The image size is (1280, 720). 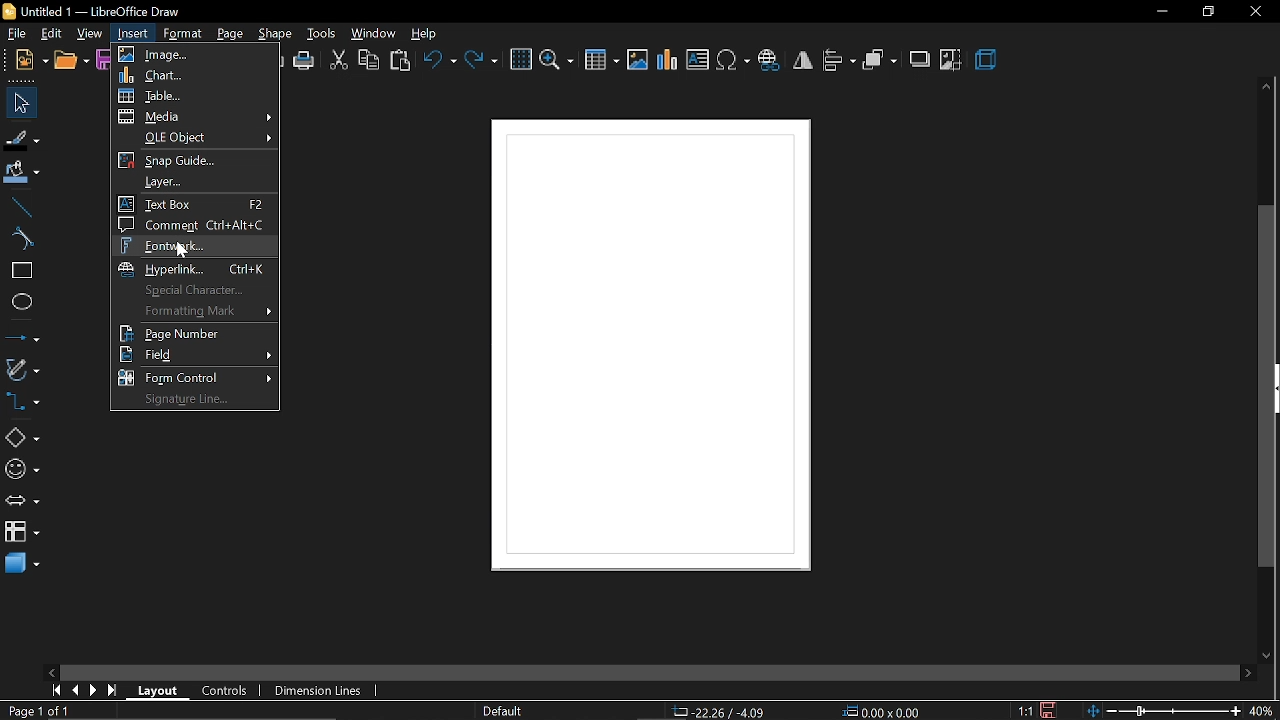 What do you see at coordinates (838, 62) in the screenshot?
I see `align` at bounding box center [838, 62].